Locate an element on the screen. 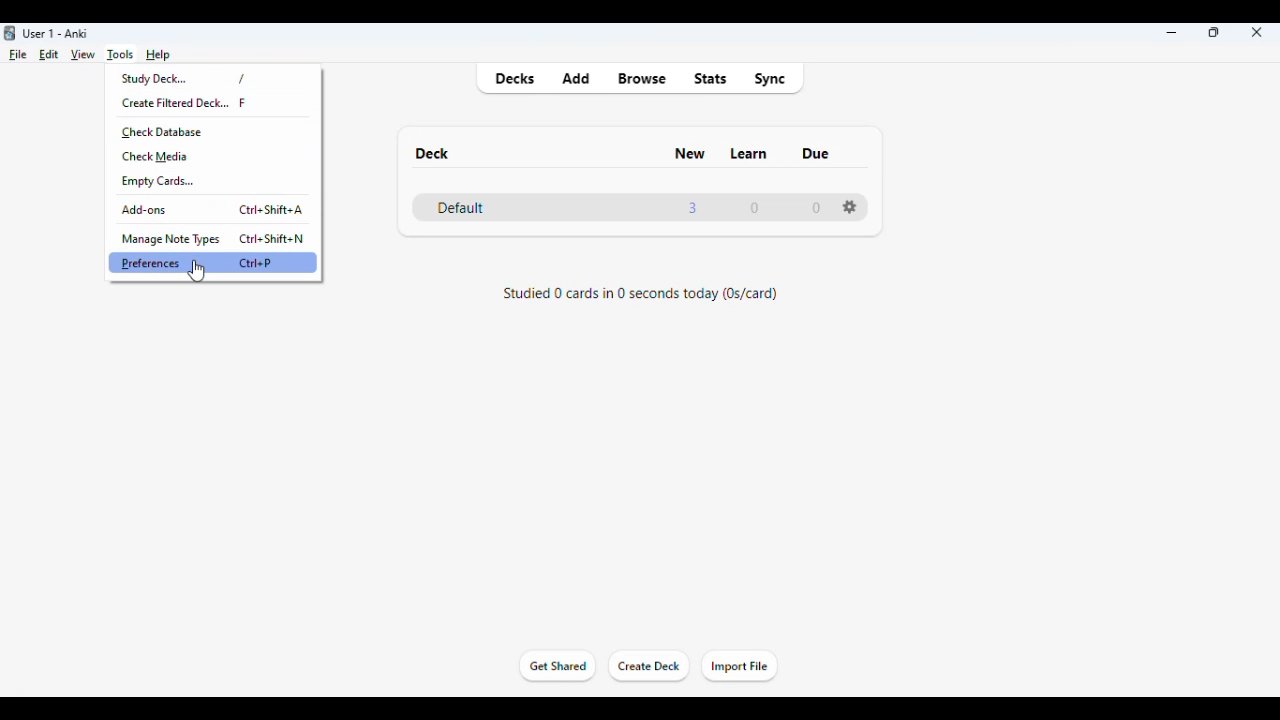 This screenshot has height=720, width=1280. cursor is located at coordinates (197, 271).